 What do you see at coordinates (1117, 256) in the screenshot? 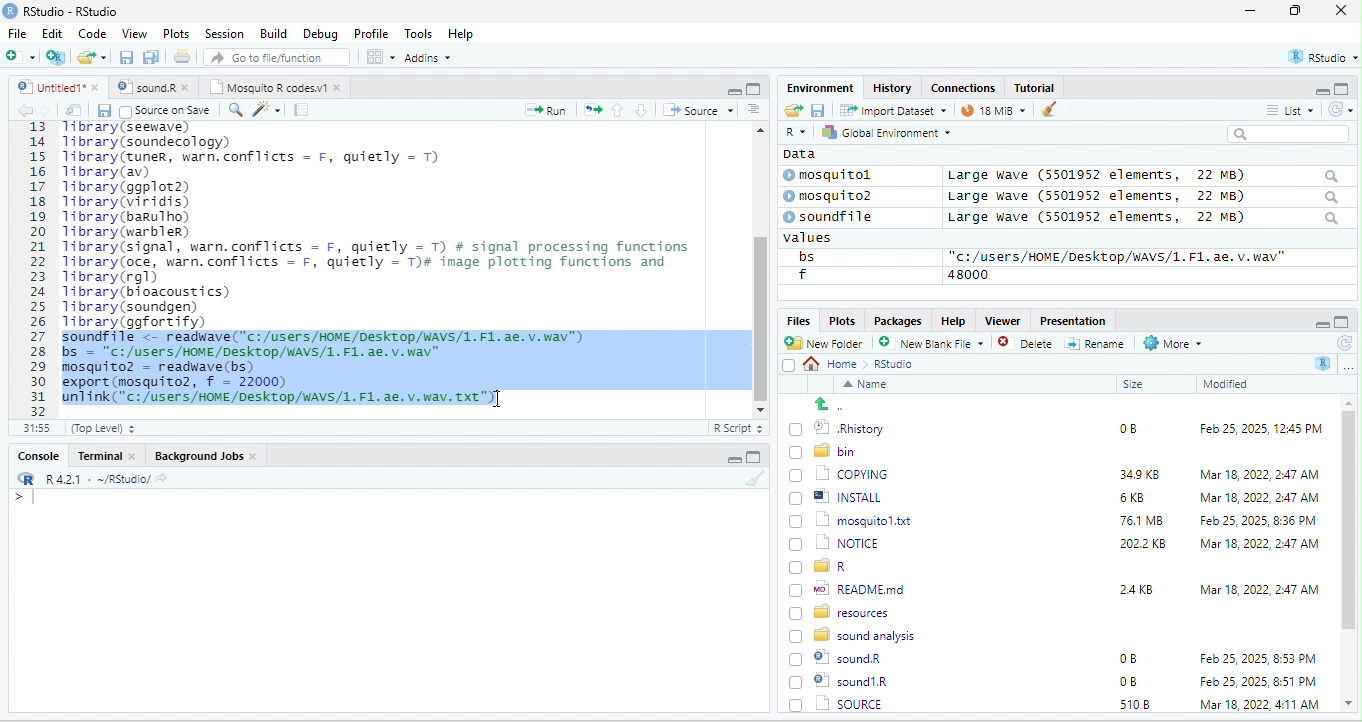
I see `“c:/users/HOME /Desktop/WAVS/1.F1. ae. v.wav"` at bounding box center [1117, 256].